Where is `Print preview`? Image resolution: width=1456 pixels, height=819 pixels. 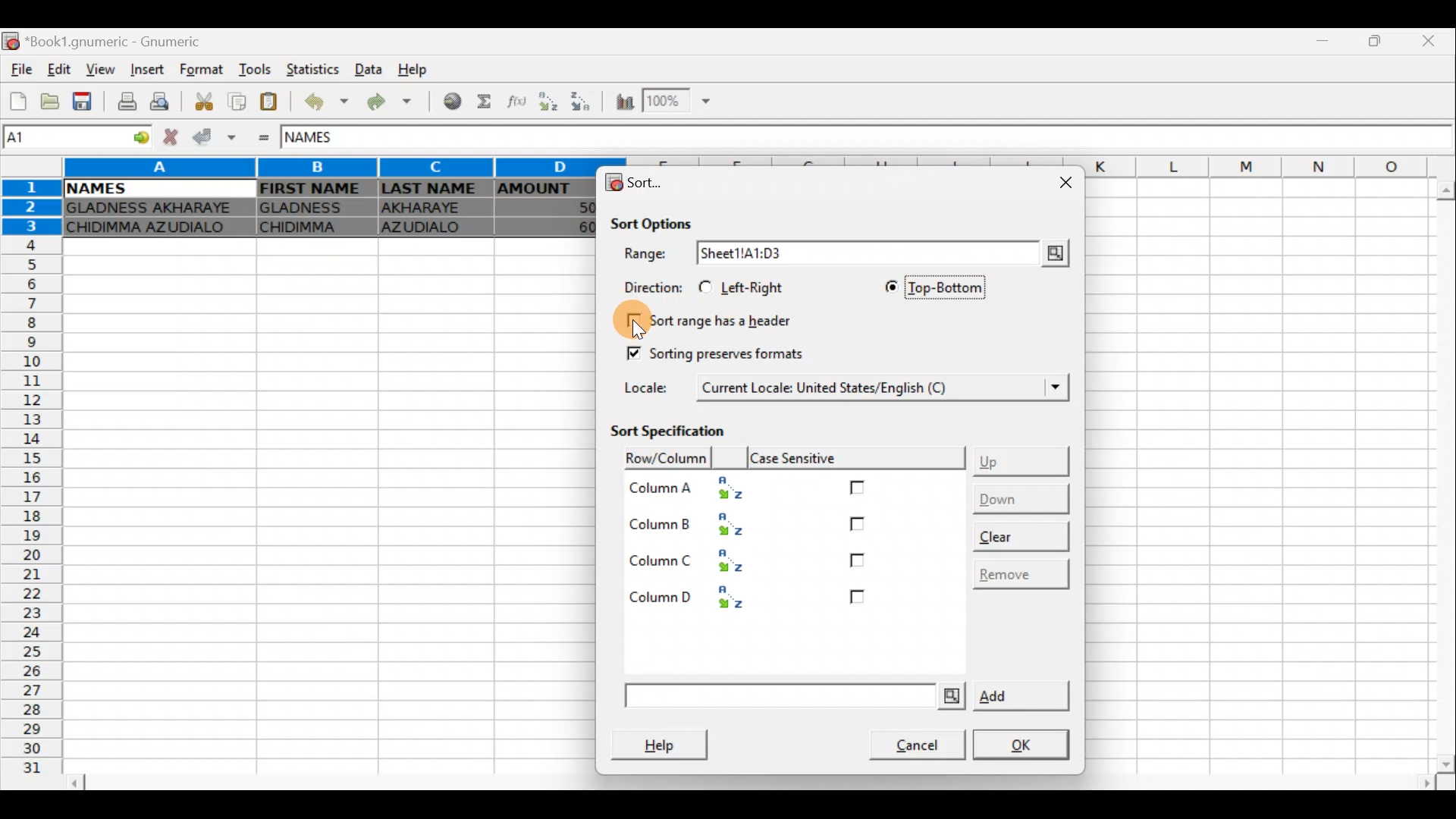
Print preview is located at coordinates (163, 100).